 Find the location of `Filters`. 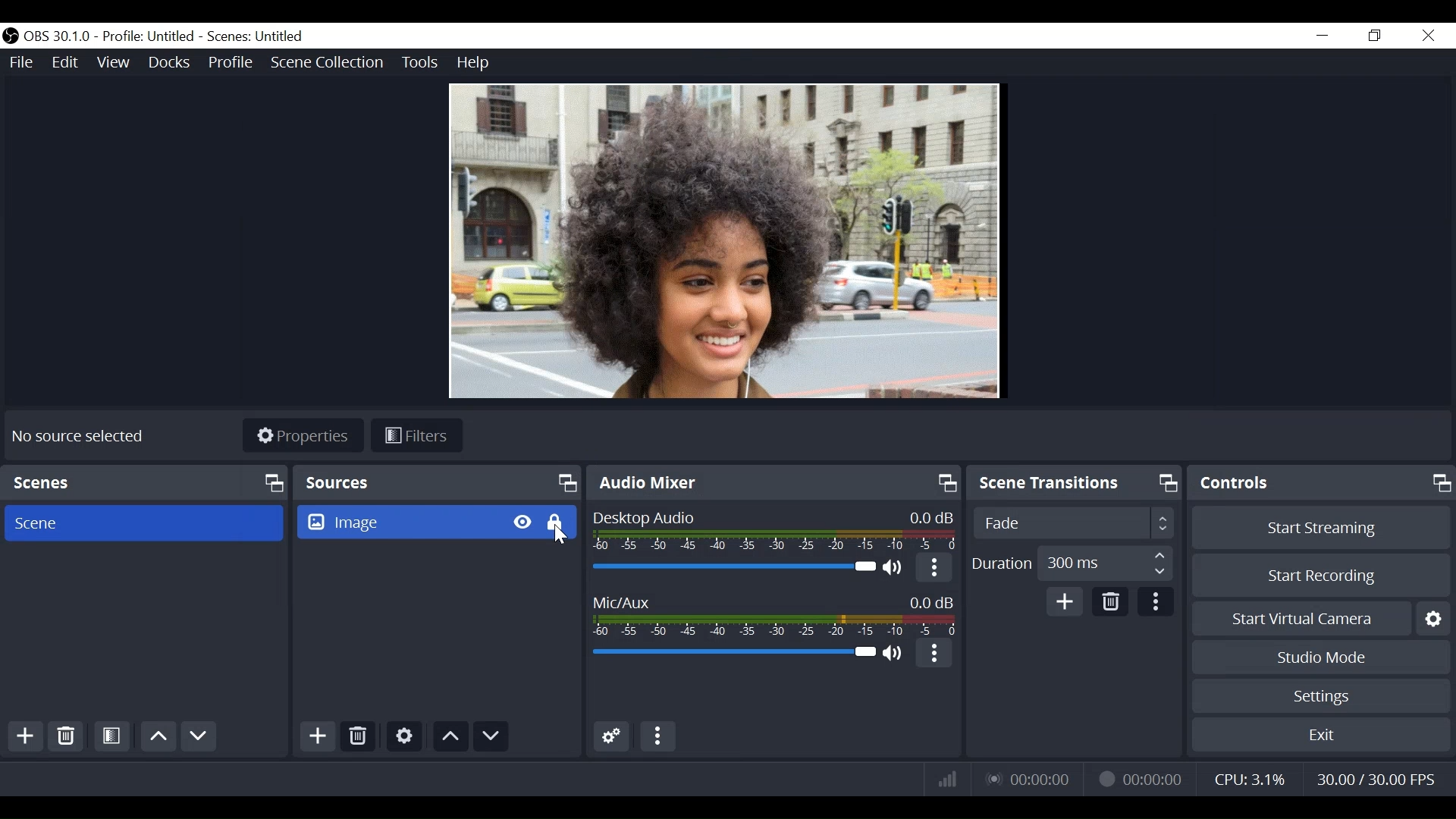

Filters is located at coordinates (416, 435).